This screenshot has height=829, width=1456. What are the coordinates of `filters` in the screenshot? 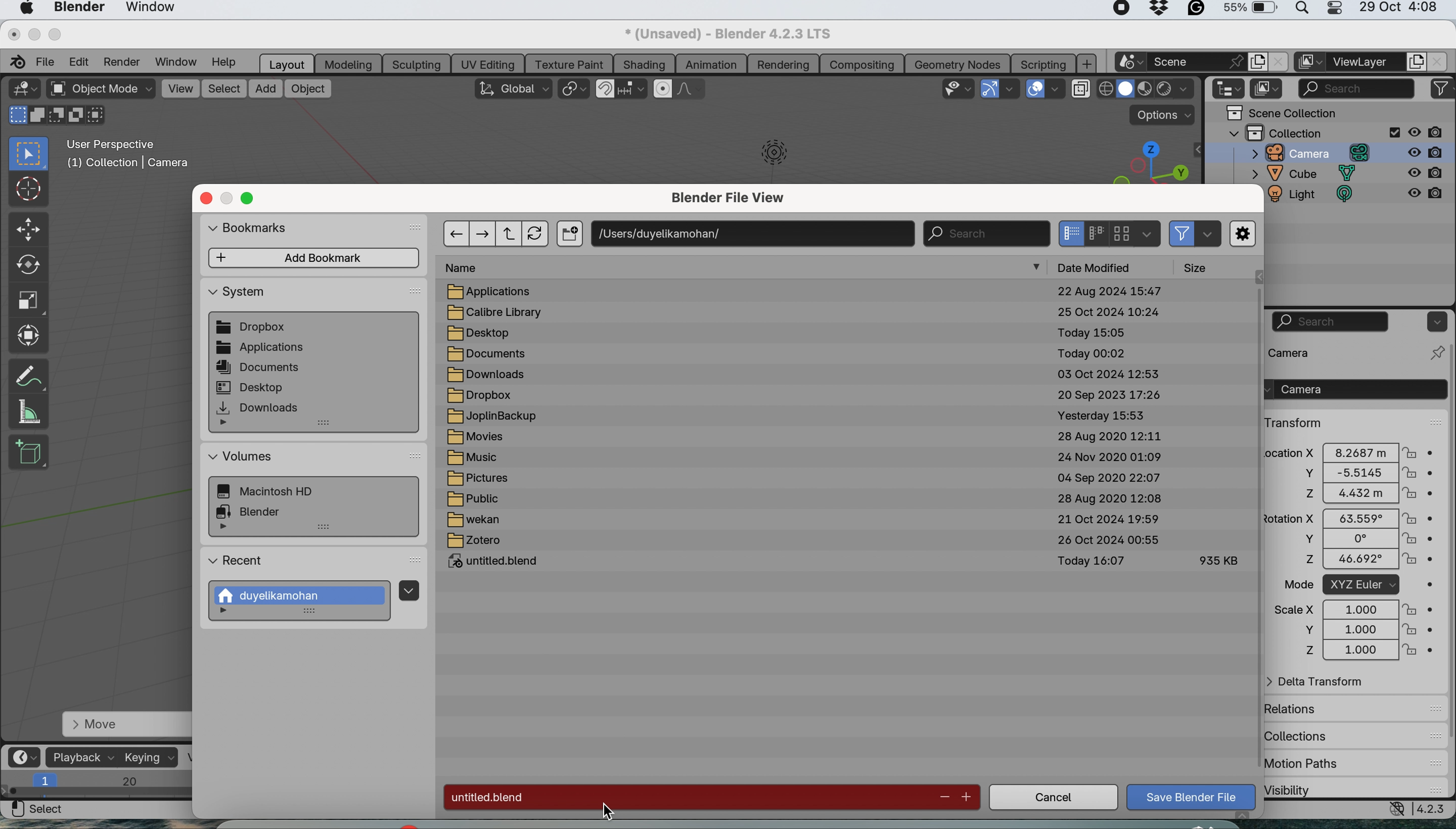 It's located at (1442, 89).